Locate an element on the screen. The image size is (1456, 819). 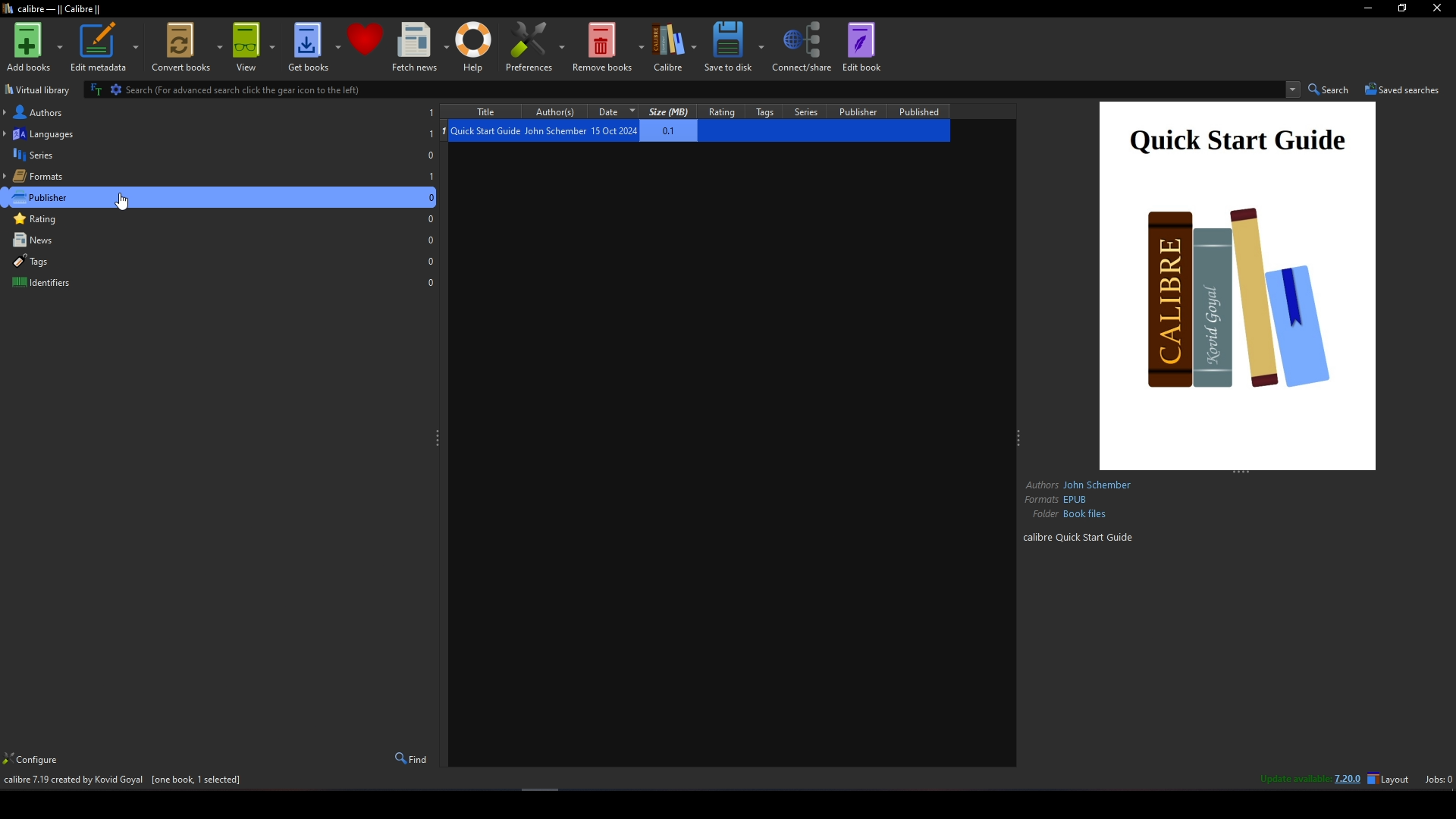
Fetch news is located at coordinates (419, 47).